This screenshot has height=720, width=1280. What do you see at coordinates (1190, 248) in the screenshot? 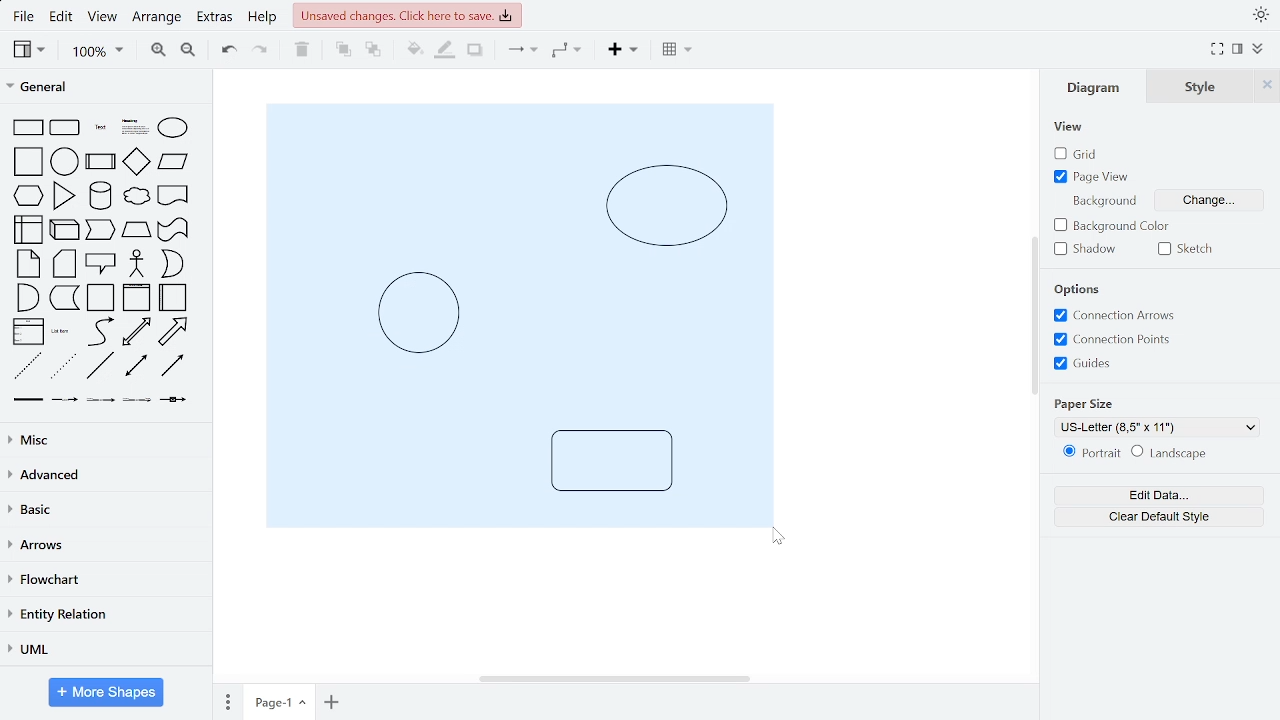
I see `sketch` at bounding box center [1190, 248].